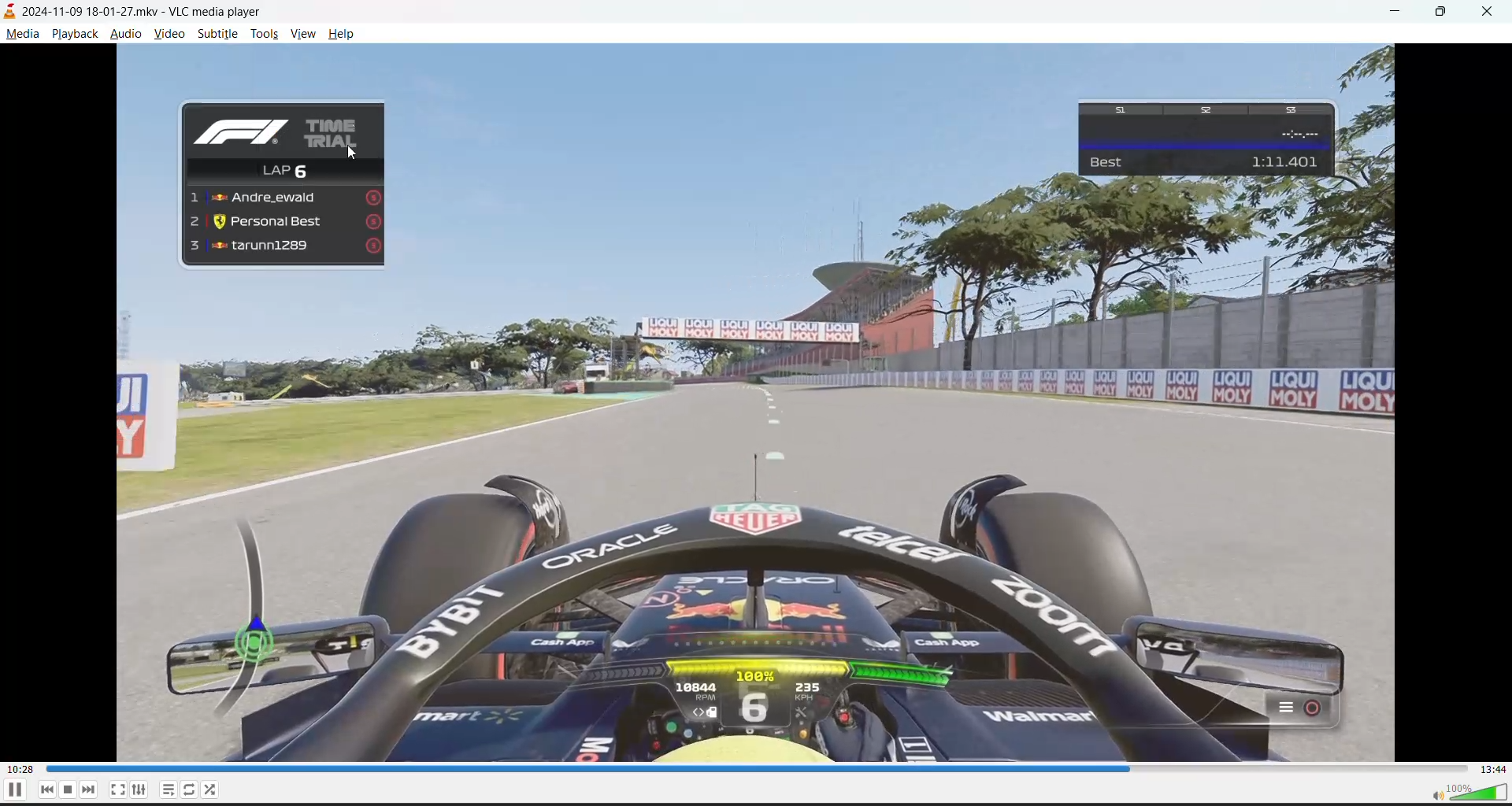 This screenshot has width=1512, height=806. I want to click on minimize, so click(1401, 12).